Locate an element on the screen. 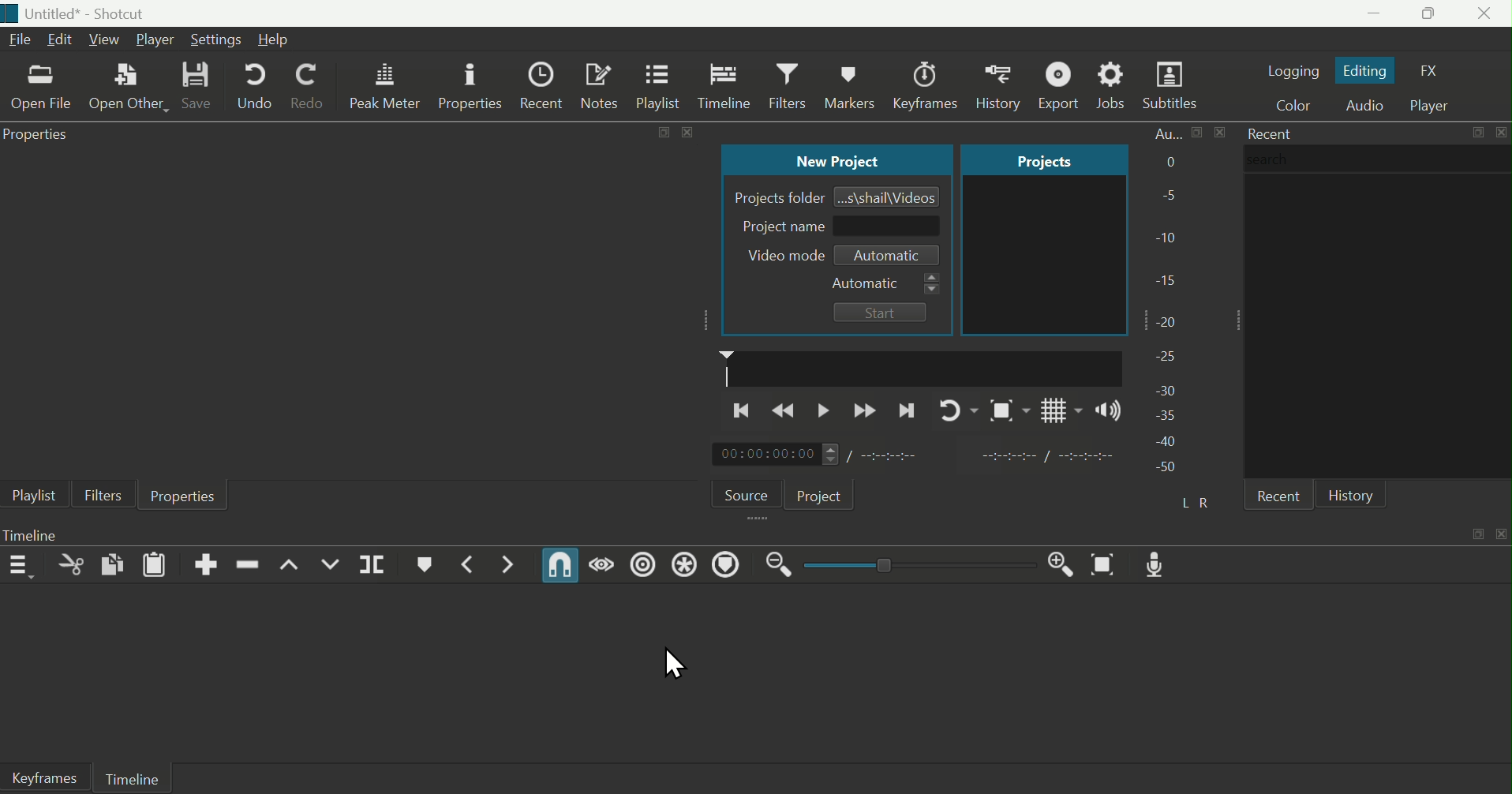 The height and width of the screenshot is (794, 1512). Undo is located at coordinates (252, 88).